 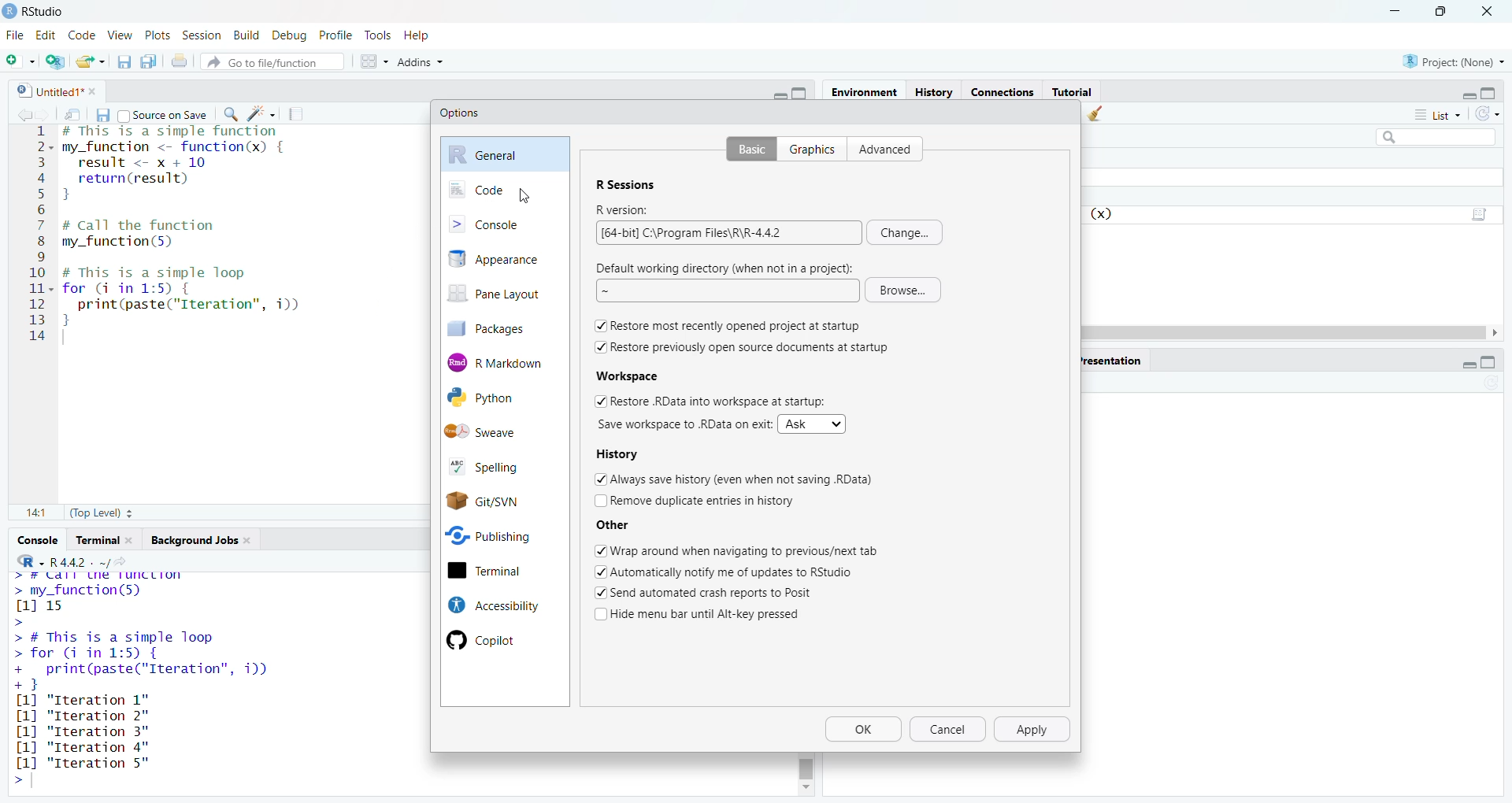 What do you see at coordinates (630, 375) in the screenshot?
I see `Workspace` at bounding box center [630, 375].